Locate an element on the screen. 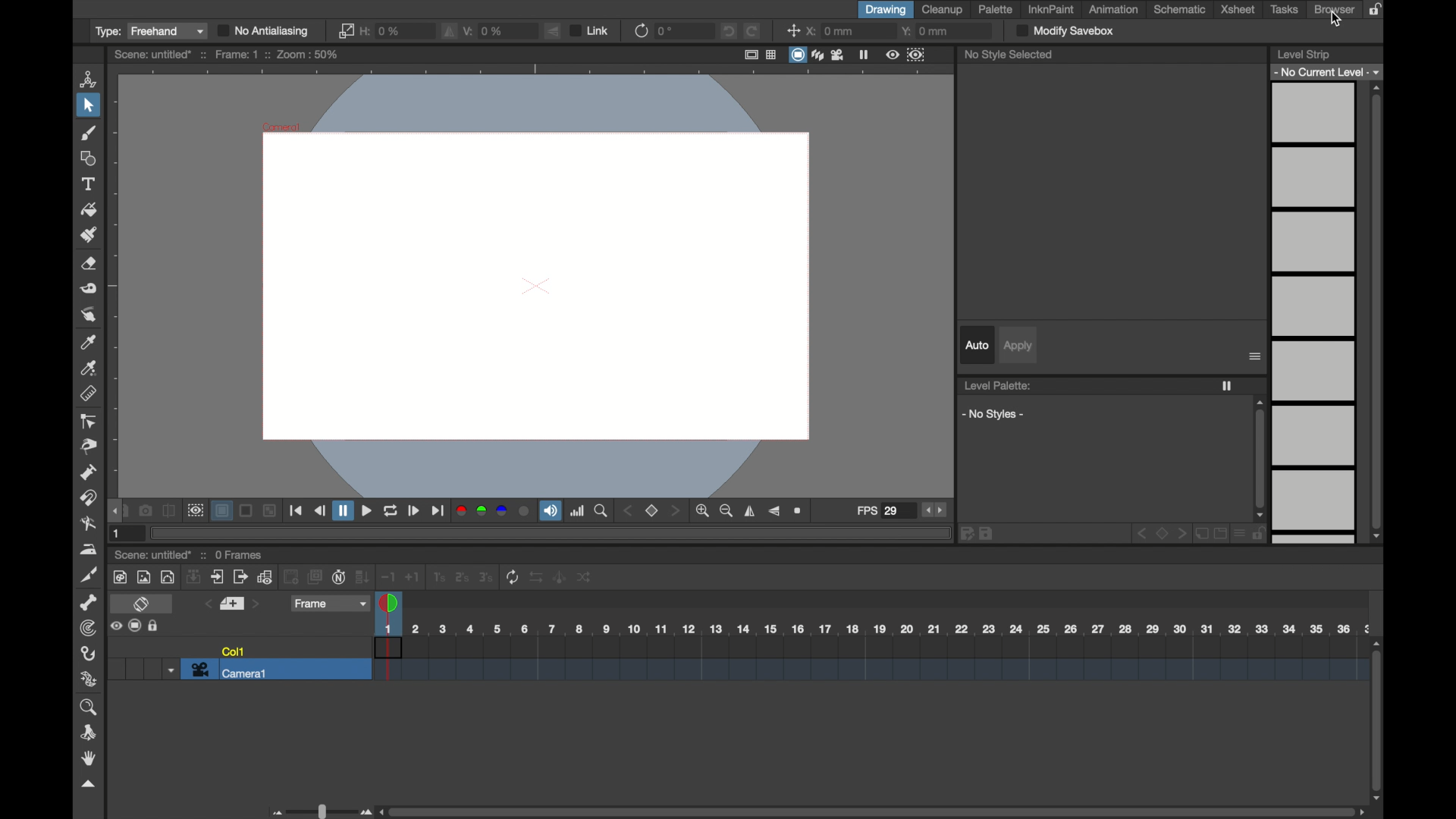 The height and width of the screenshot is (819, 1456). soundtrack is located at coordinates (551, 510).